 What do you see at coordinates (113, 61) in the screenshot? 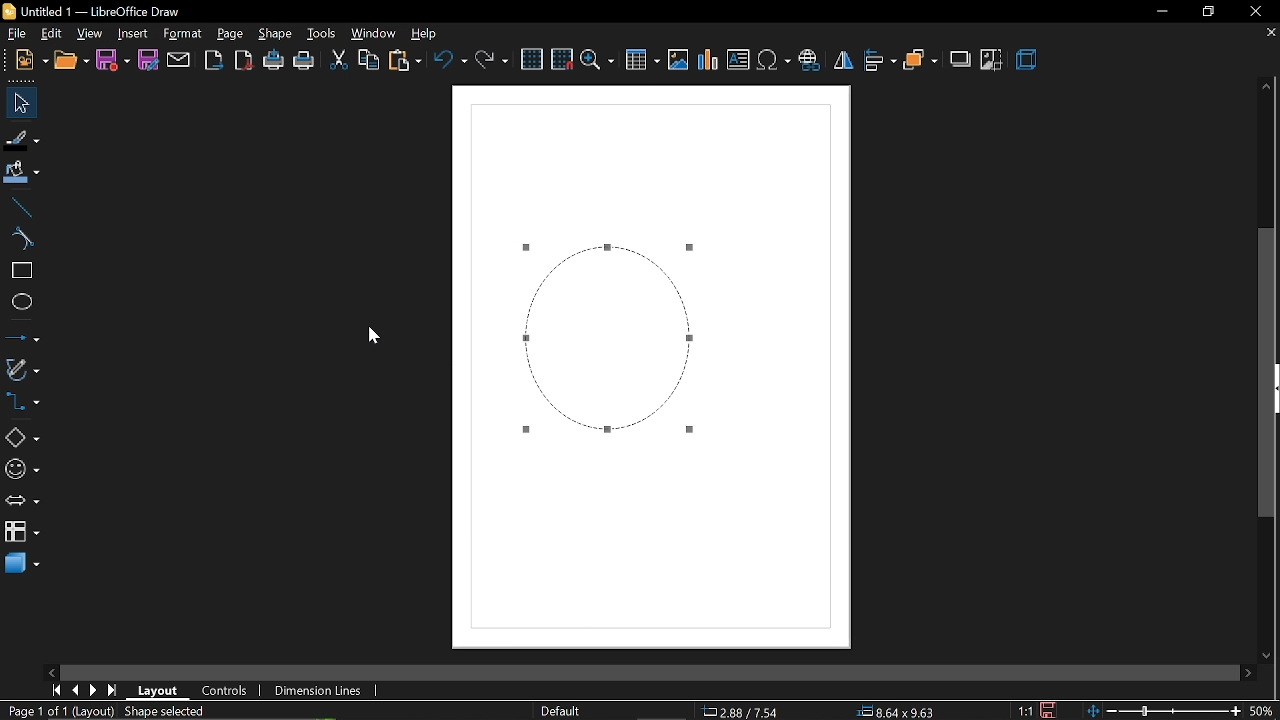
I see `save` at bounding box center [113, 61].